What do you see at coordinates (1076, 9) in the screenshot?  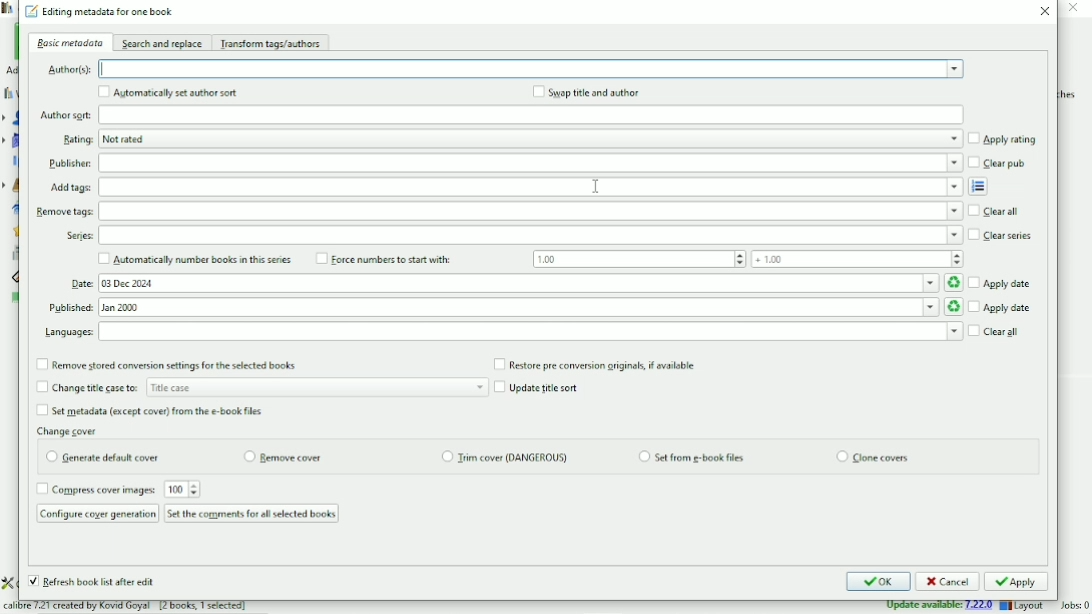 I see `close` at bounding box center [1076, 9].